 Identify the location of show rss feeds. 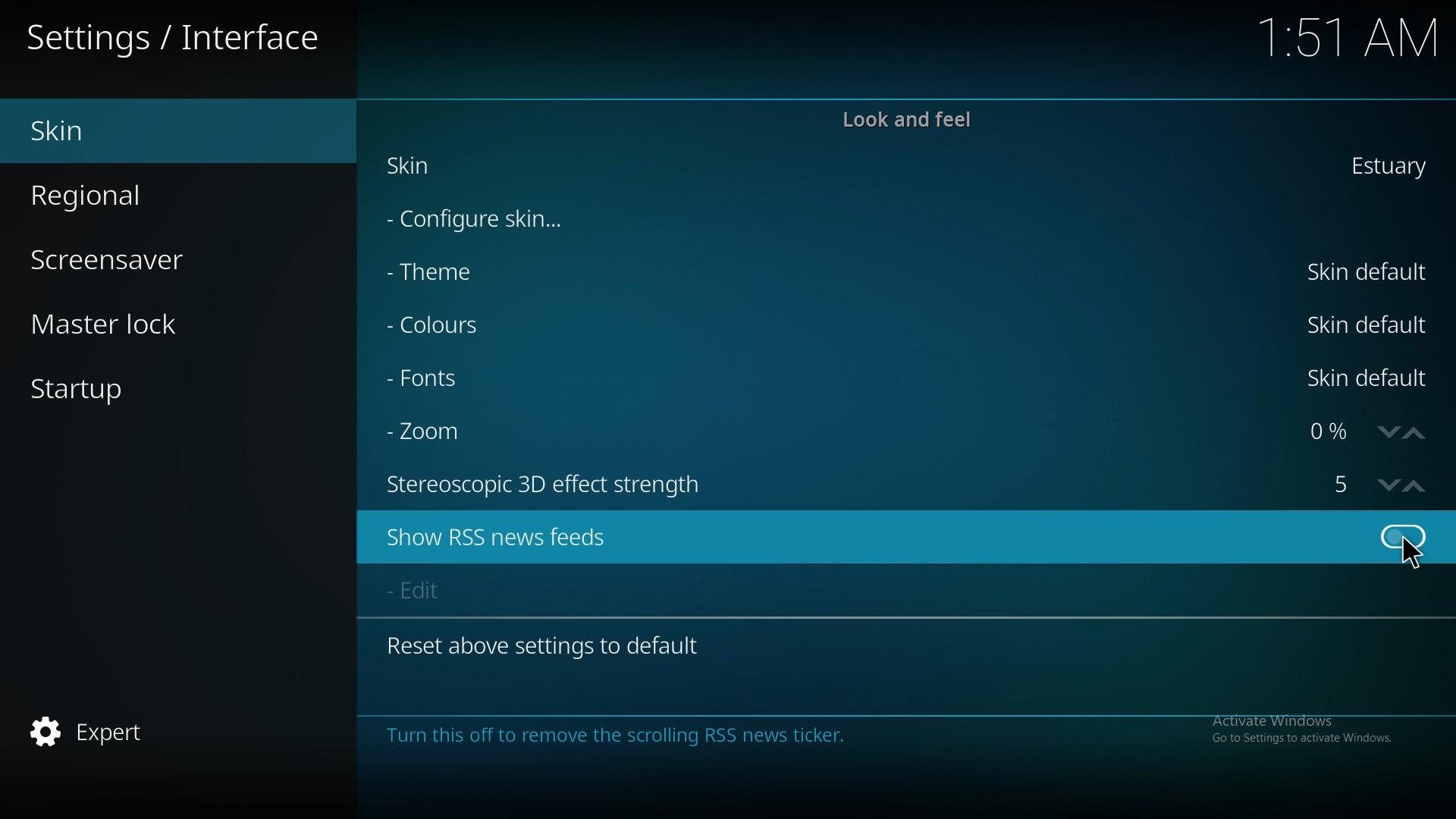
(1401, 536).